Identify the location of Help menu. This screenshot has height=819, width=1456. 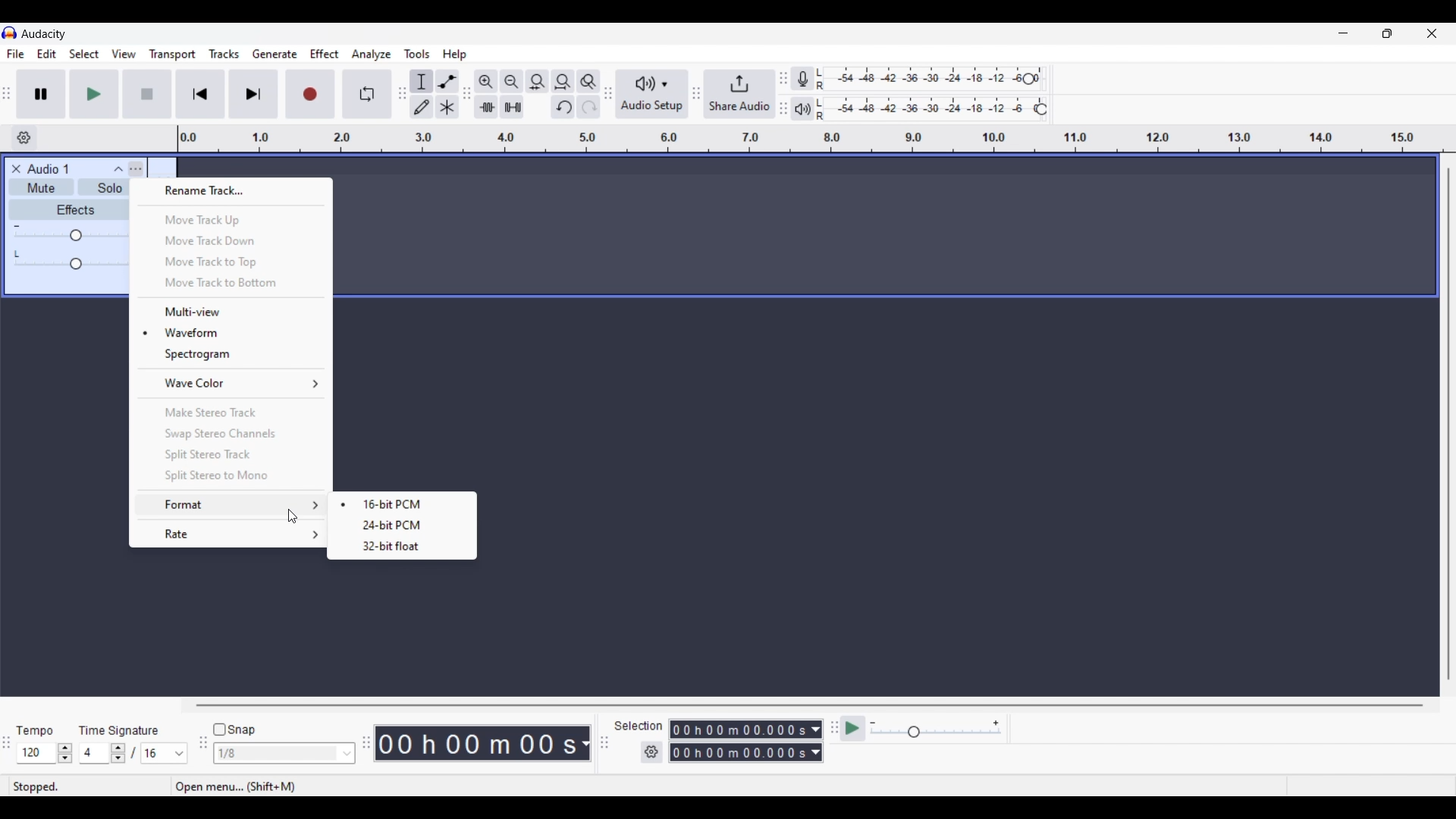
(454, 55).